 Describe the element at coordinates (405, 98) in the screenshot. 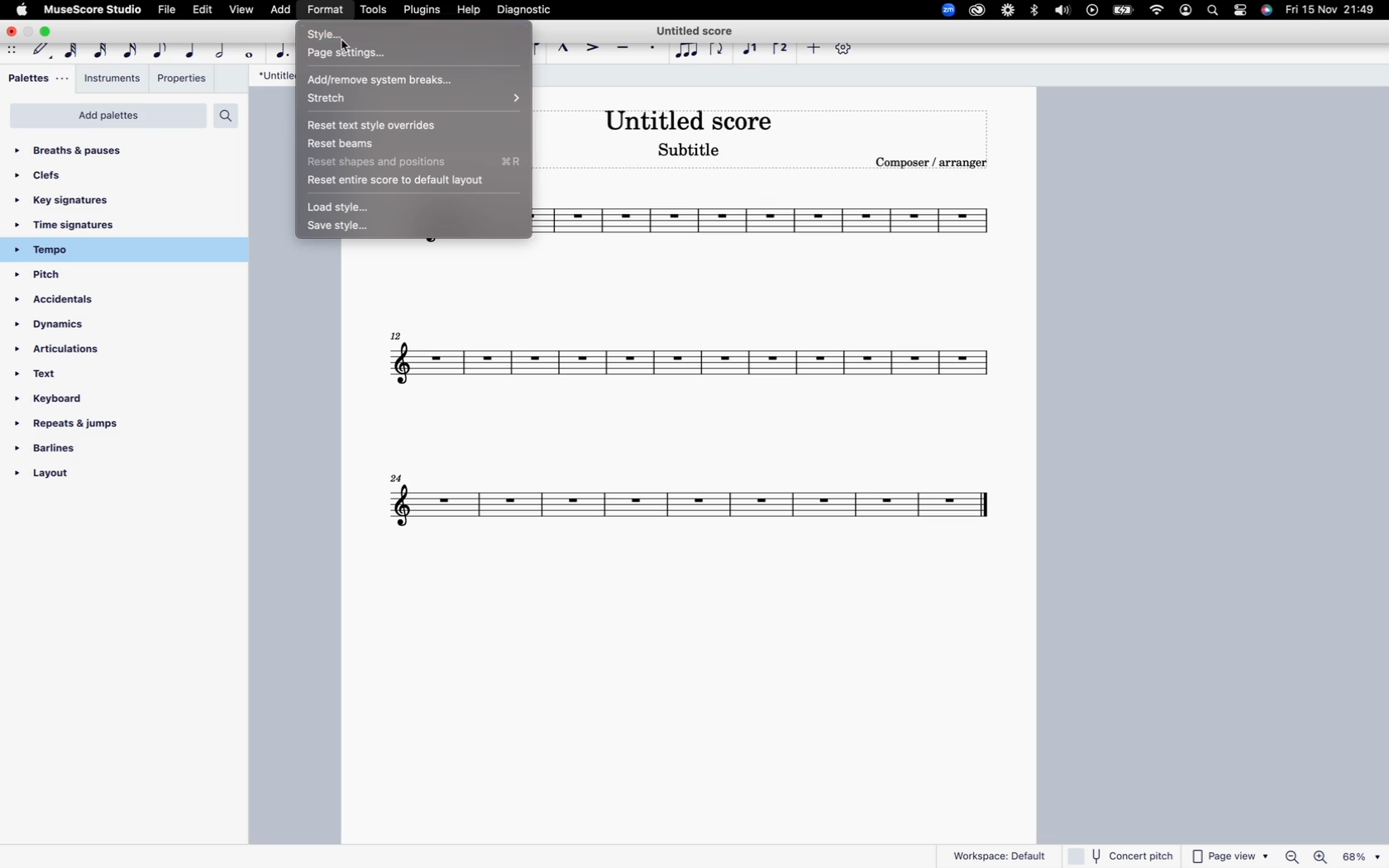

I see `stretch` at that location.